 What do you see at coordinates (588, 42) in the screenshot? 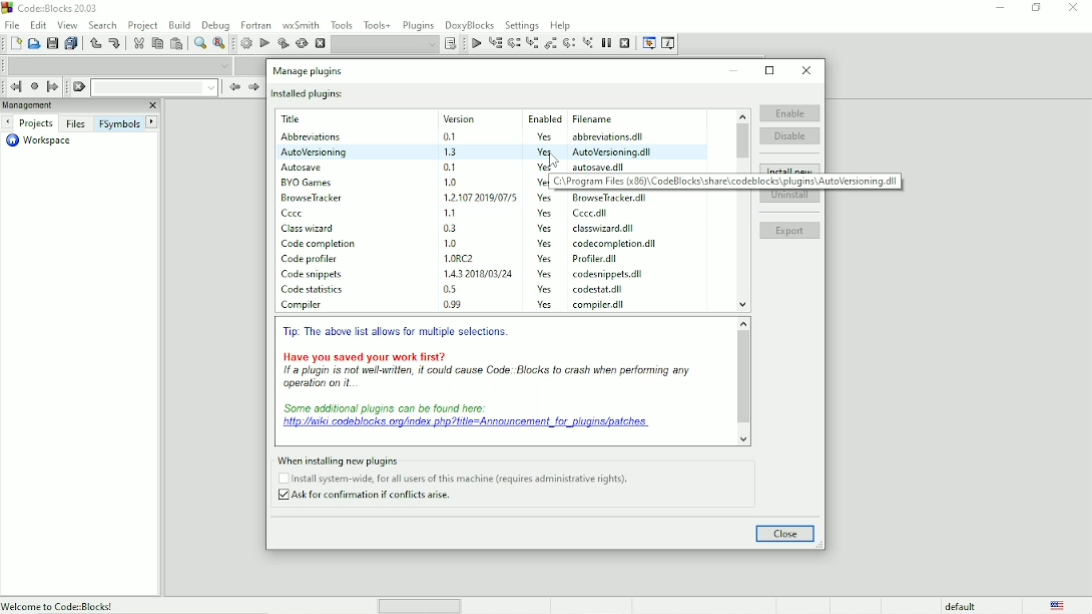
I see `Step into instruction` at bounding box center [588, 42].